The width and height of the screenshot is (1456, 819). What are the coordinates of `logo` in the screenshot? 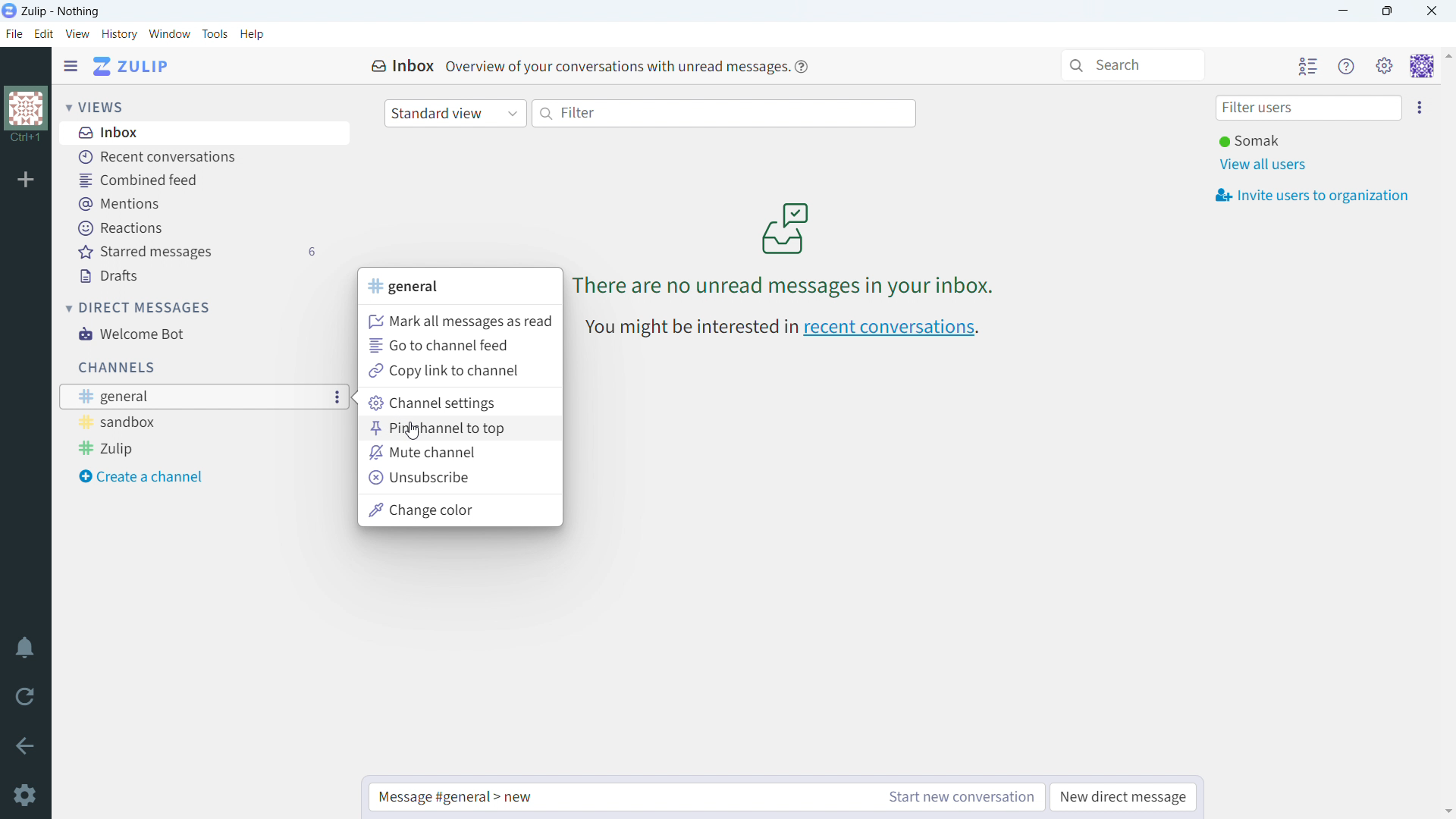 It's located at (10, 11).